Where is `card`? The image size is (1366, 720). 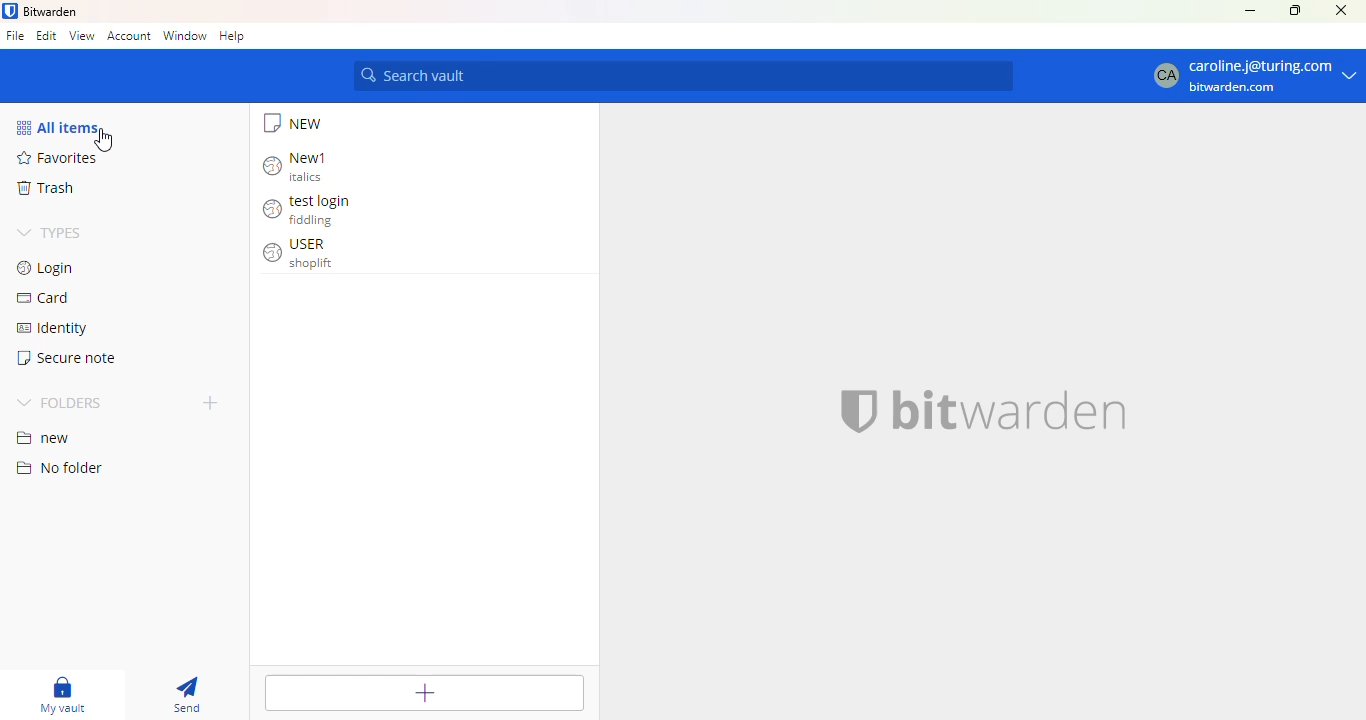
card is located at coordinates (45, 298).